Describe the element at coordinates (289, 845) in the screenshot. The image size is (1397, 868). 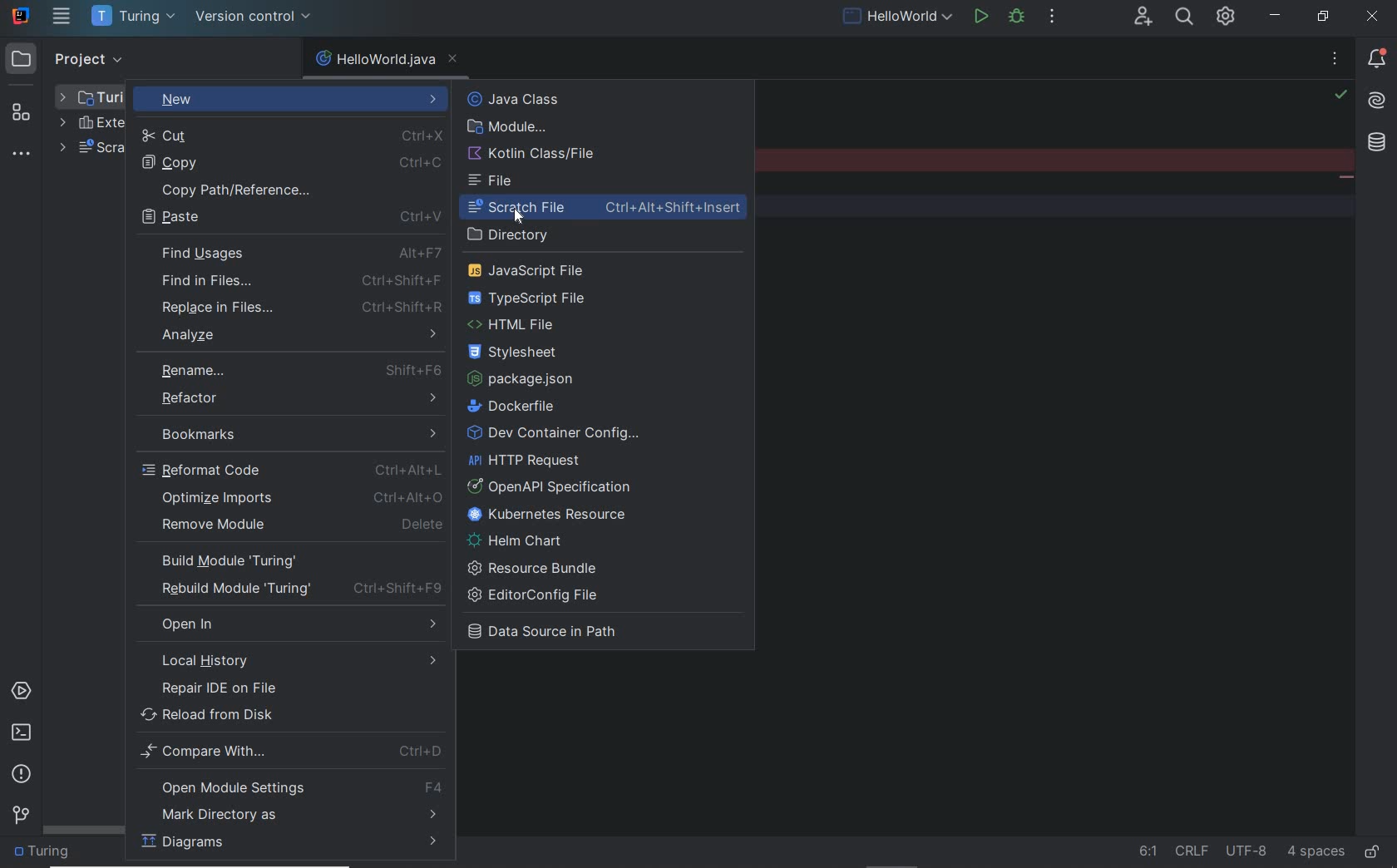
I see `diagrams` at that location.